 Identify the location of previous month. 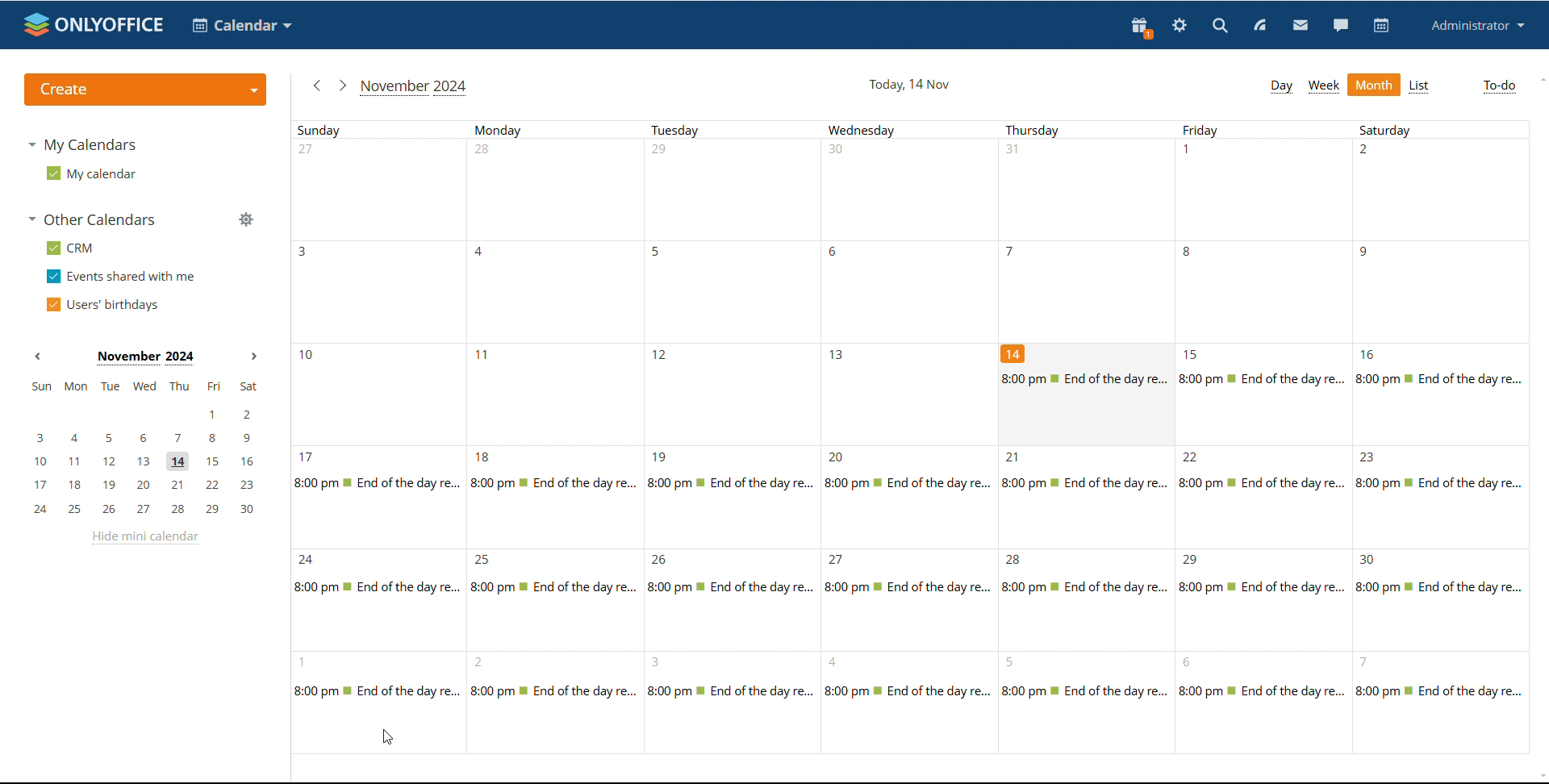
(37, 355).